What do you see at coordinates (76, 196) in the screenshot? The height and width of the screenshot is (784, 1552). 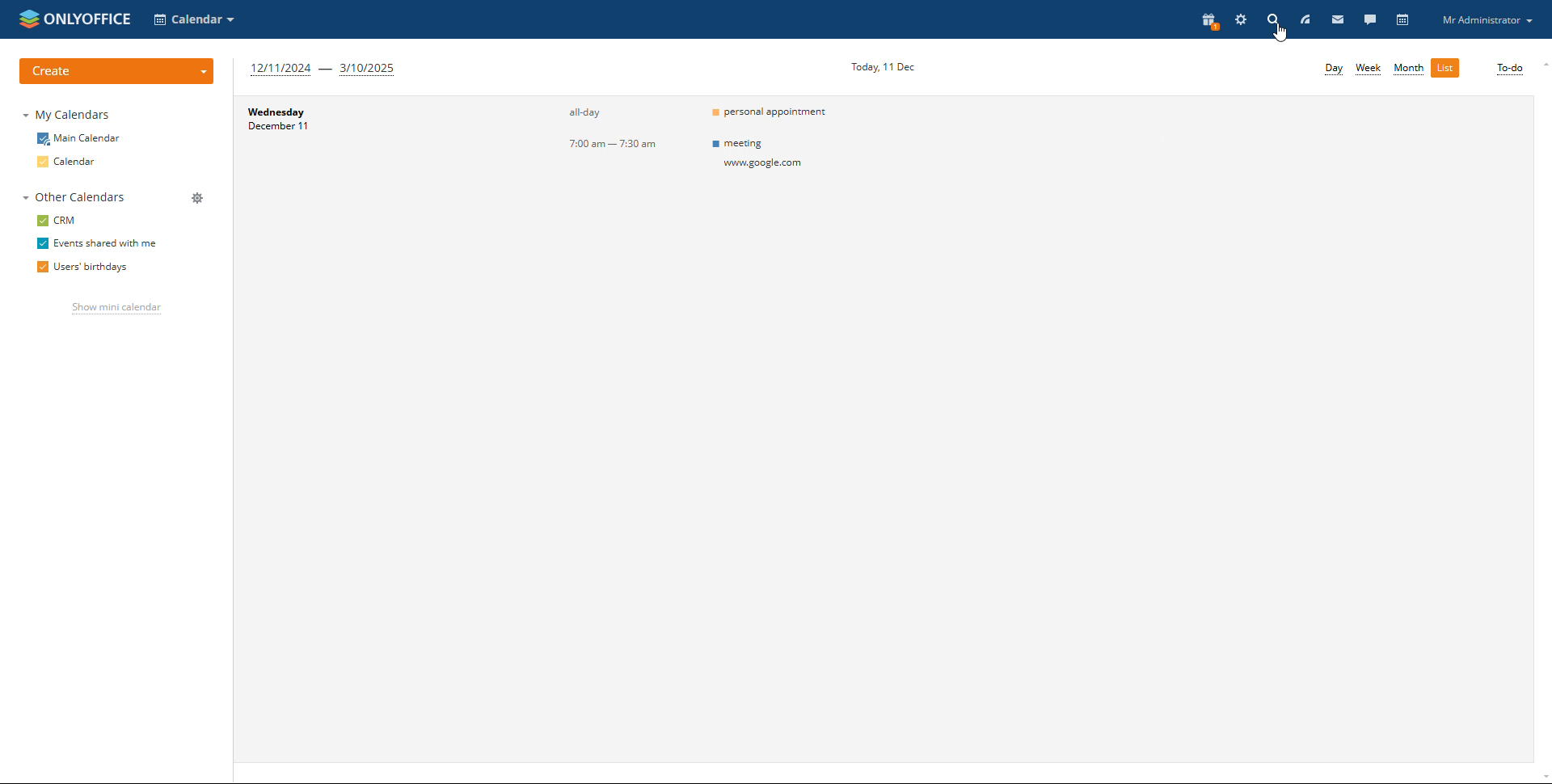 I see `other calendars` at bounding box center [76, 196].